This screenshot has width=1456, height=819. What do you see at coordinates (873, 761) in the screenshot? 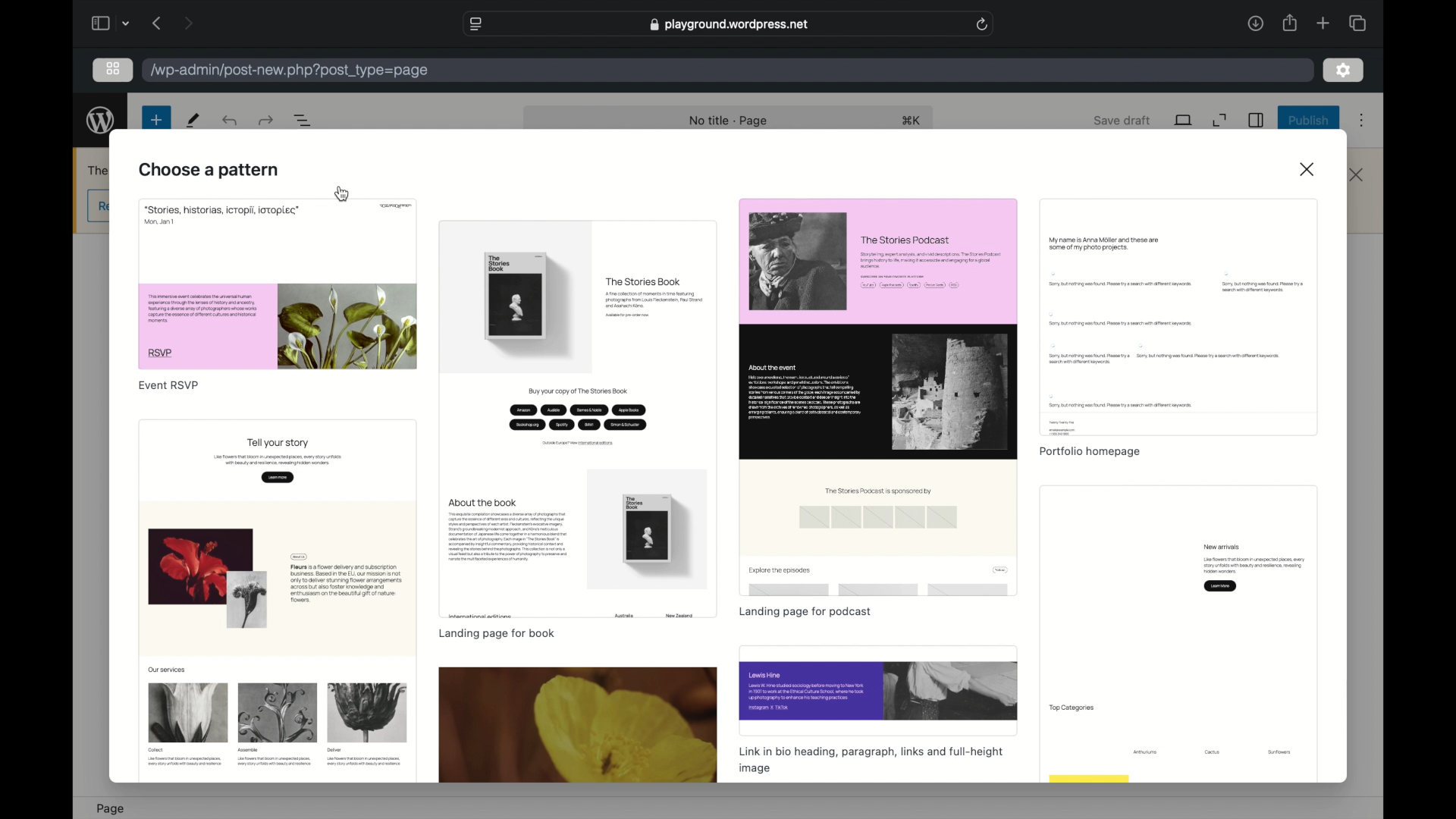
I see `link in bio heading, paragraph, links and full-height image` at bounding box center [873, 761].